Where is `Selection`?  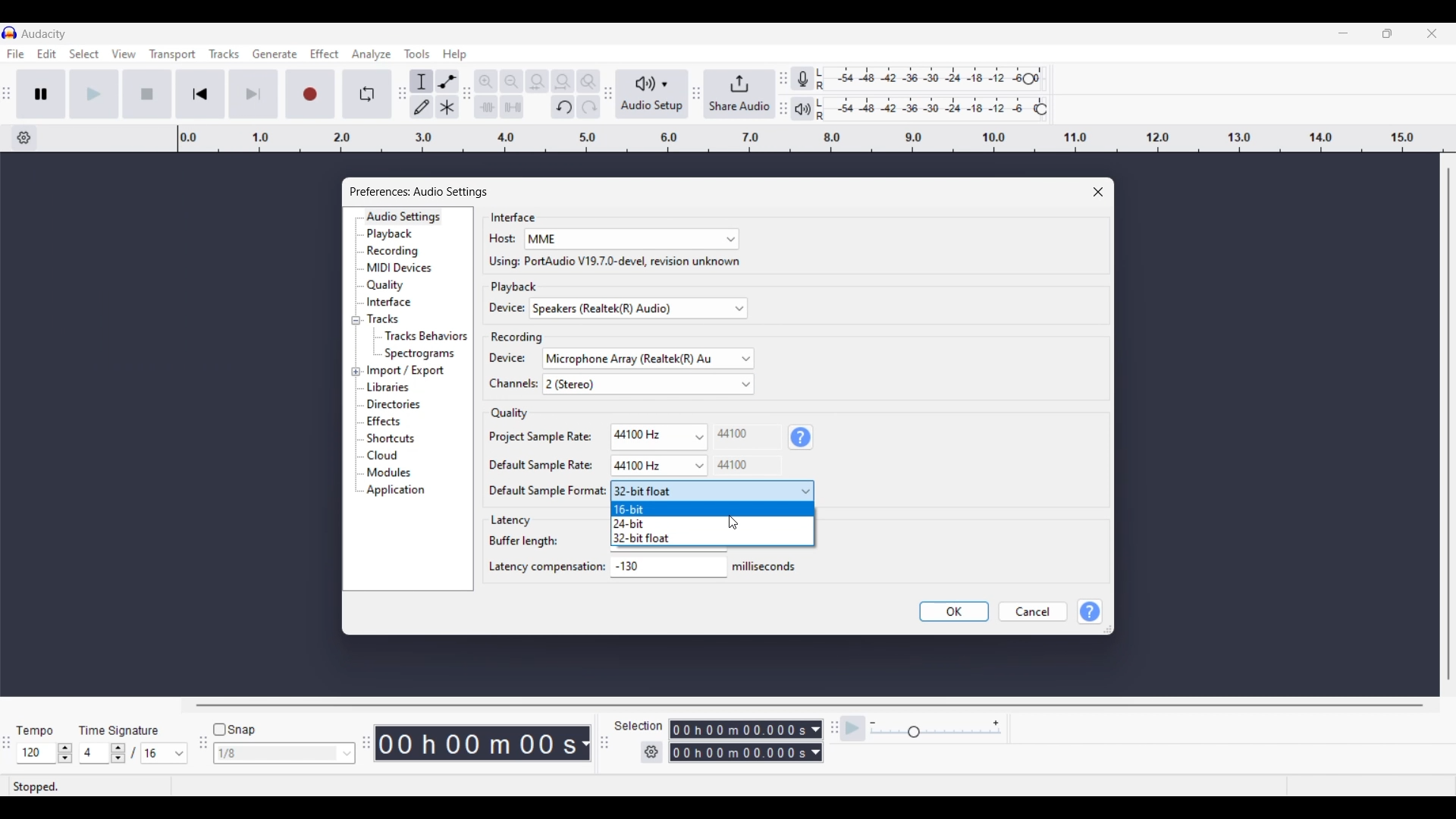 Selection is located at coordinates (637, 726).